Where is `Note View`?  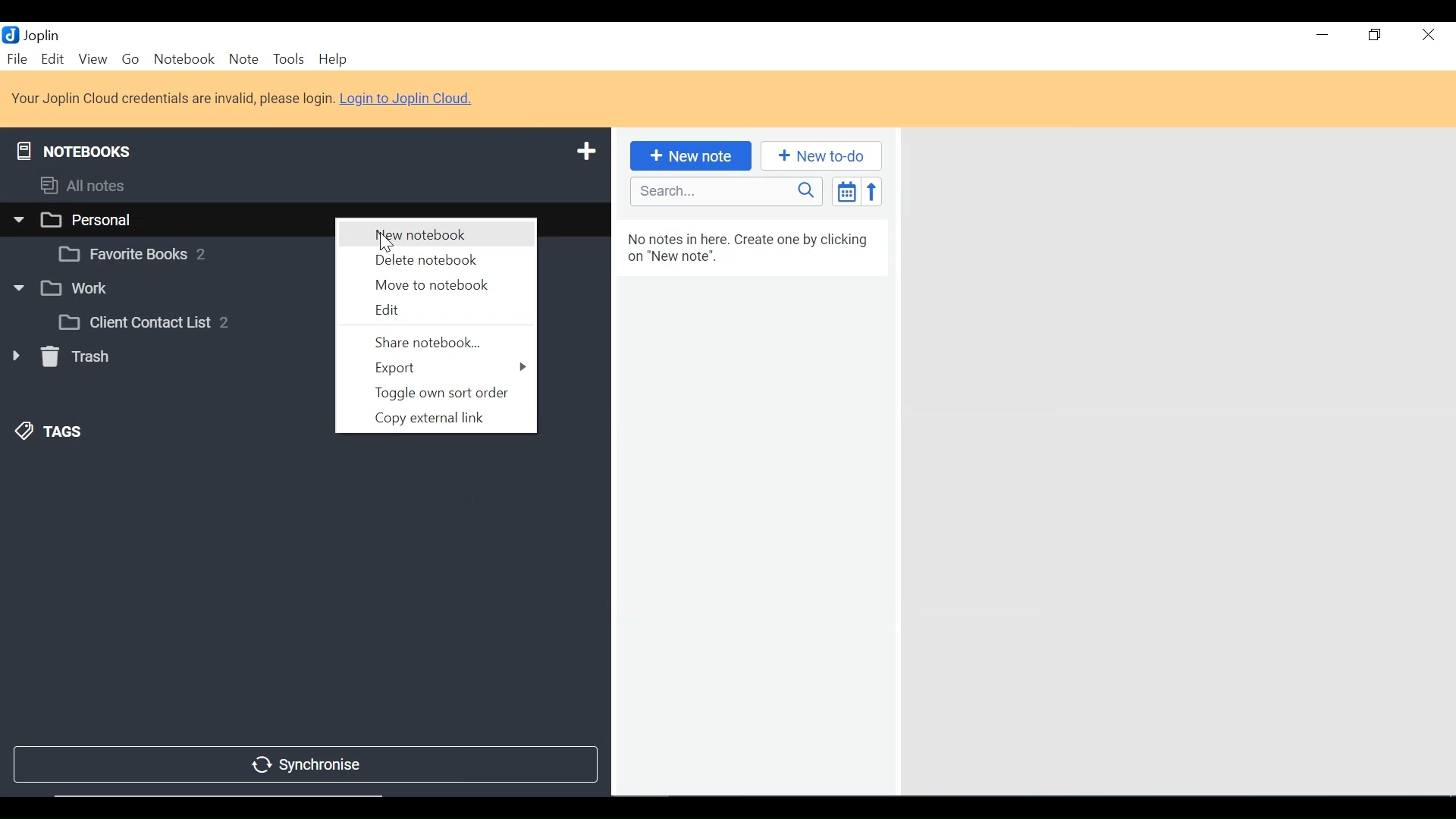 Note View is located at coordinates (1175, 460).